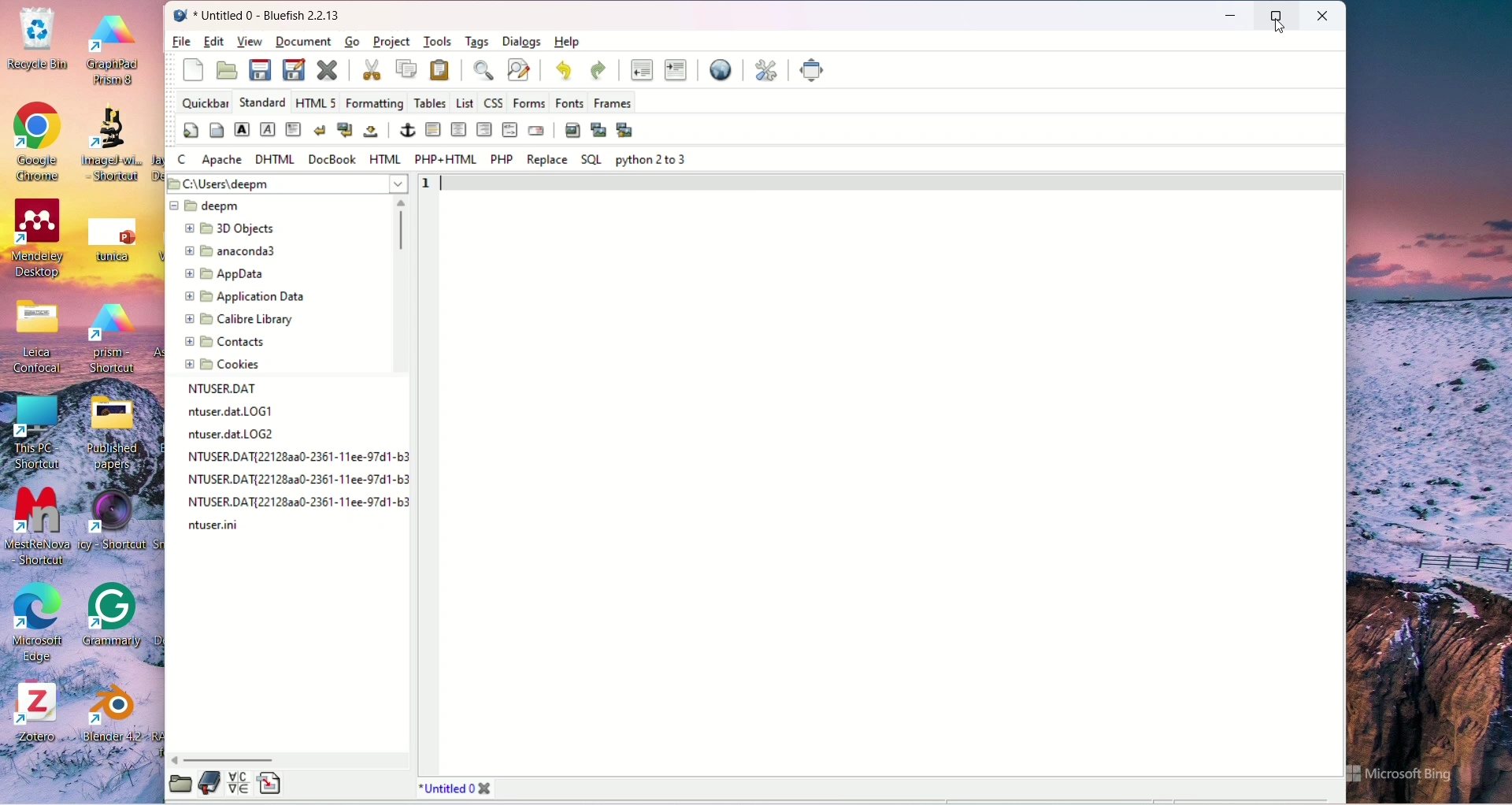 The width and height of the screenshot is (1512, 805). Describe the element at coordinates (544, 160) in the screenshot. I see `REPLACE` at that location.